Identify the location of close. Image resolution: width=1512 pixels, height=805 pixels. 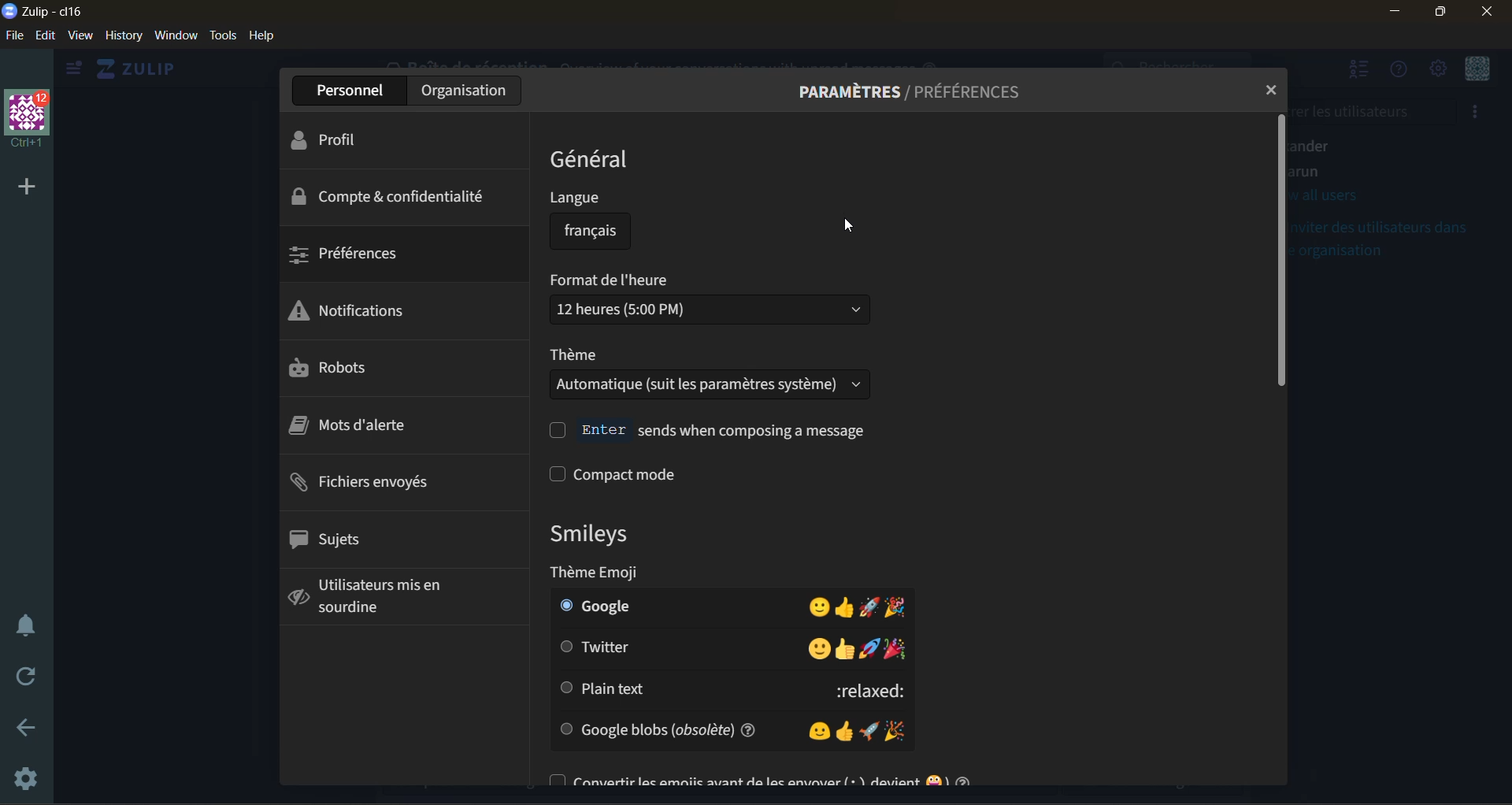
(1494, 13).